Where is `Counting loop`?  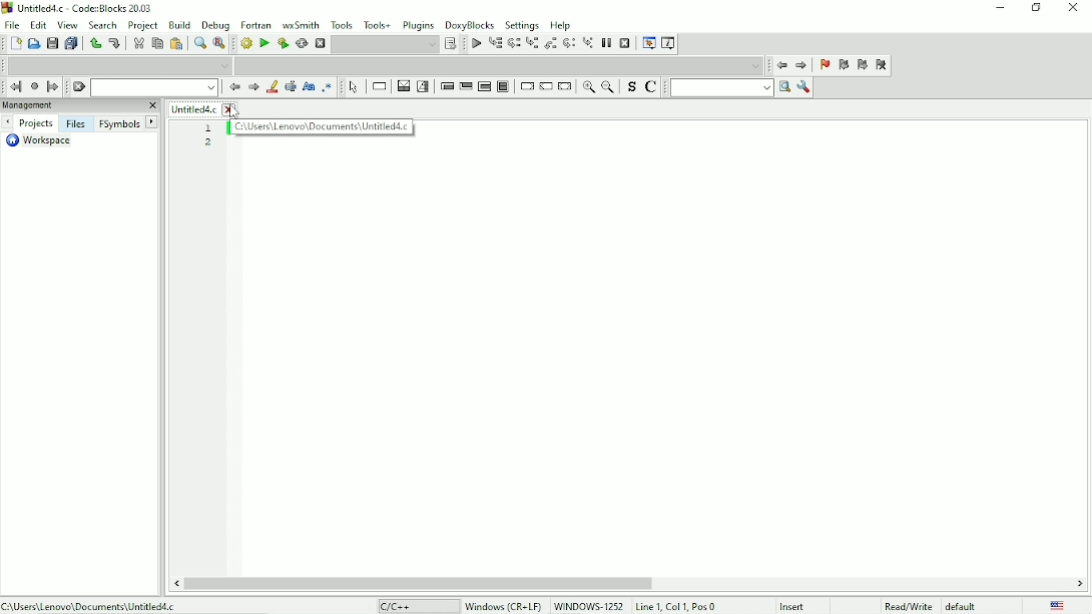
Counting loop is located at coordinates (484, 86).